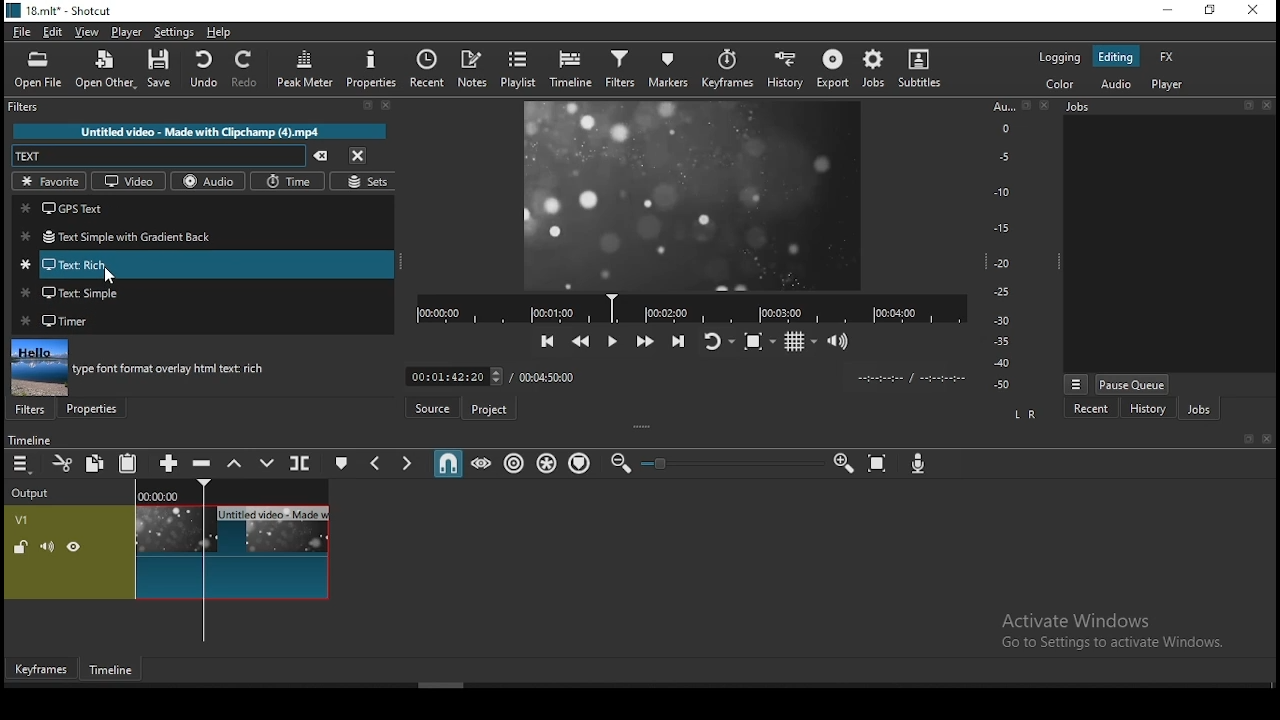 This screenshot has height=720, width=1280. Describe the element at coordinates (721, 341) in the screenshot. I see `toggle player looping` at that location.